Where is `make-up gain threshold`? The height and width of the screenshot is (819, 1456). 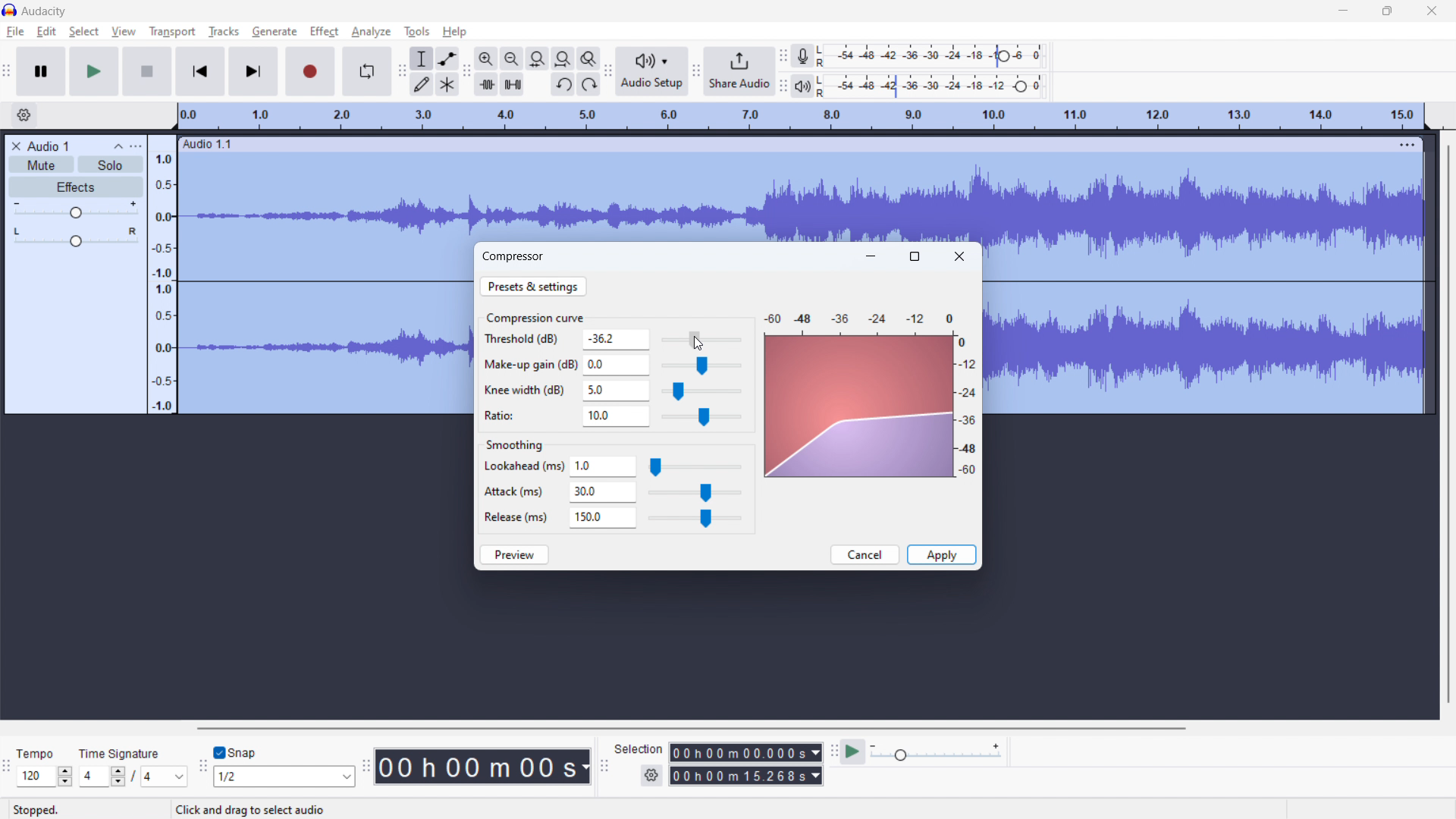
make-up gain threshold is located at coordinates (701, 366).